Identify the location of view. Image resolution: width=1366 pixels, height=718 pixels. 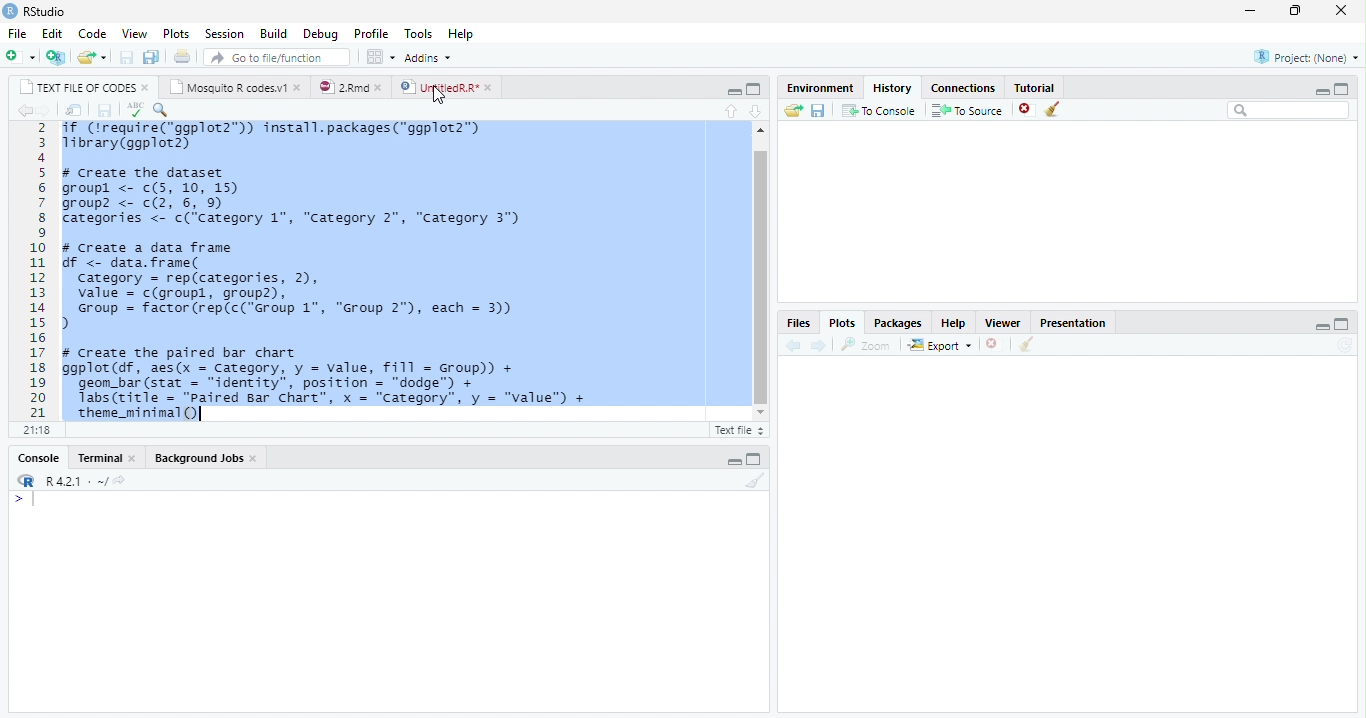
(131, 32).